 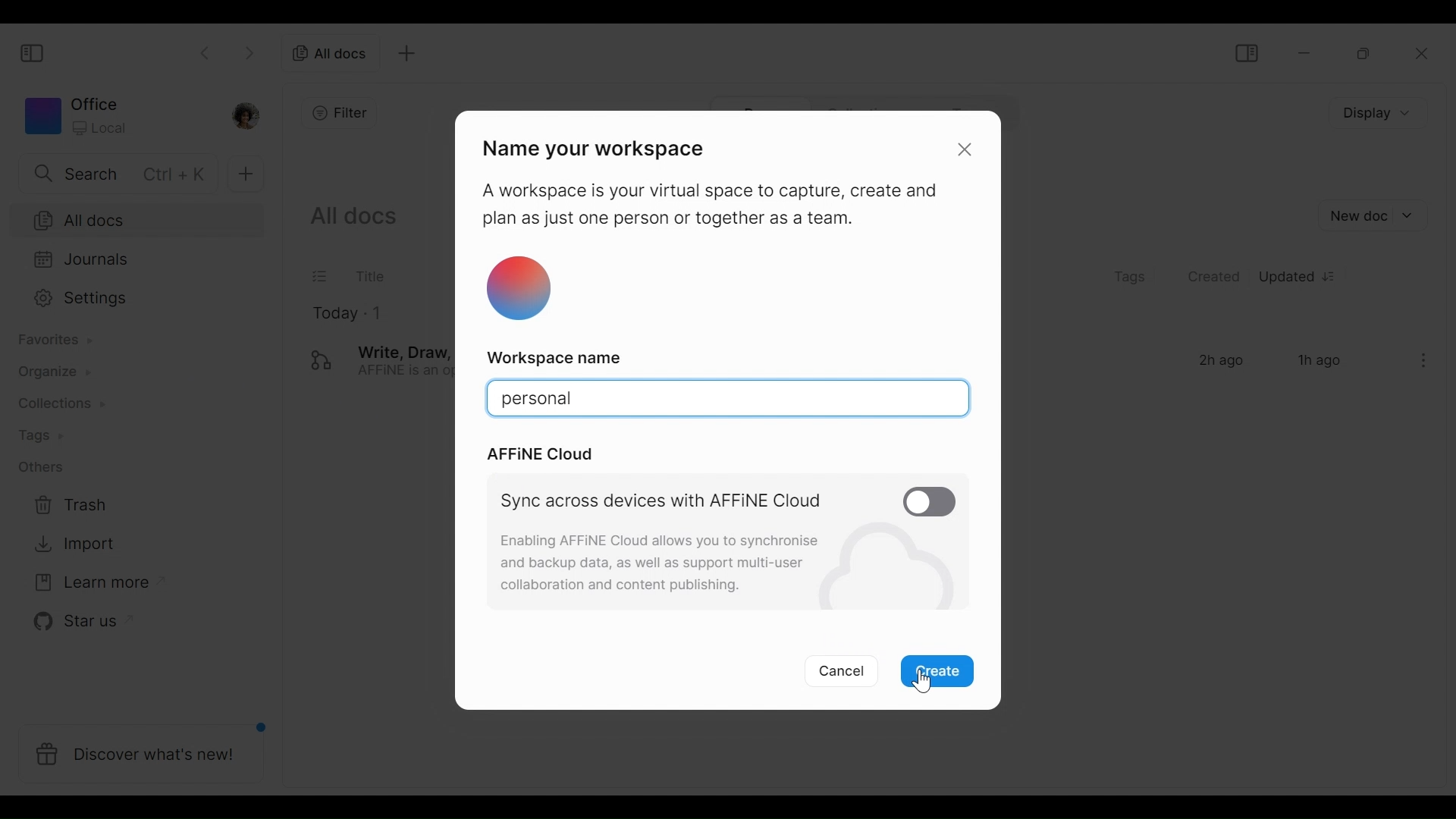 I want to click on logo, so click(x=321, y=359).